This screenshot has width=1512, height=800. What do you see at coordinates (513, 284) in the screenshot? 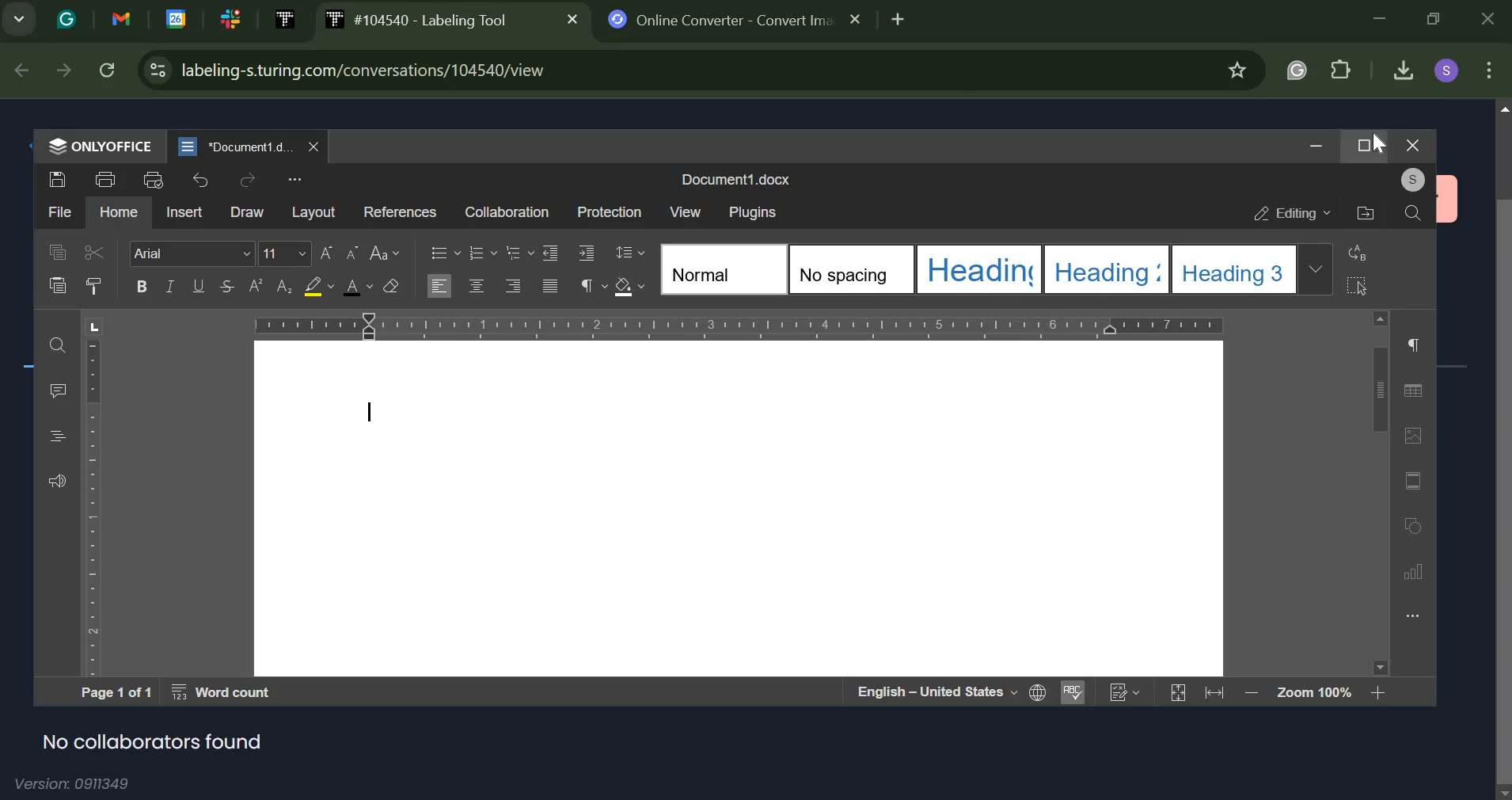
I see `align right` at bounding box center [513, 284].